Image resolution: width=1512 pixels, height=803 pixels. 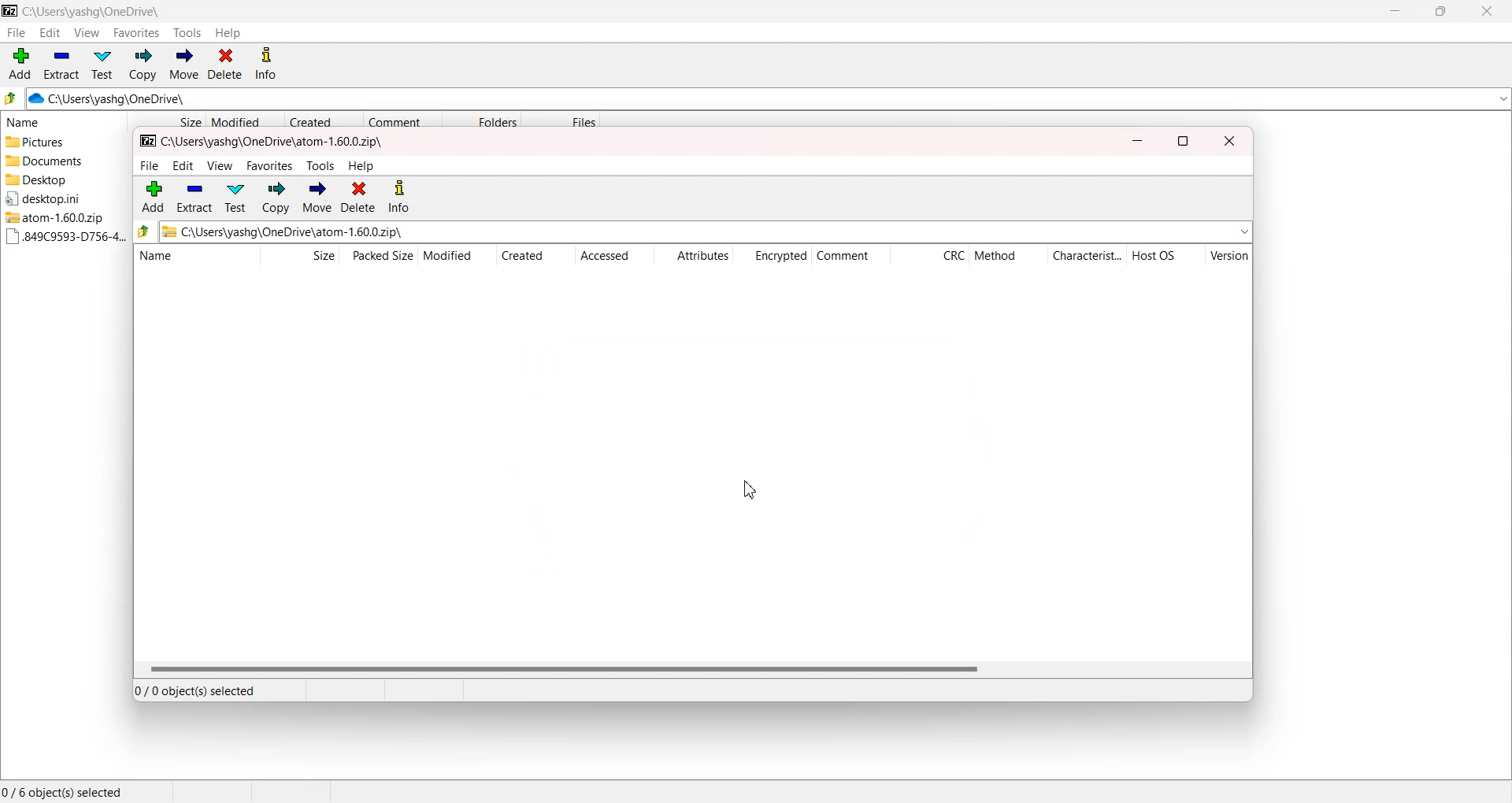 I want to click on edit, so click(x=183, y=166).